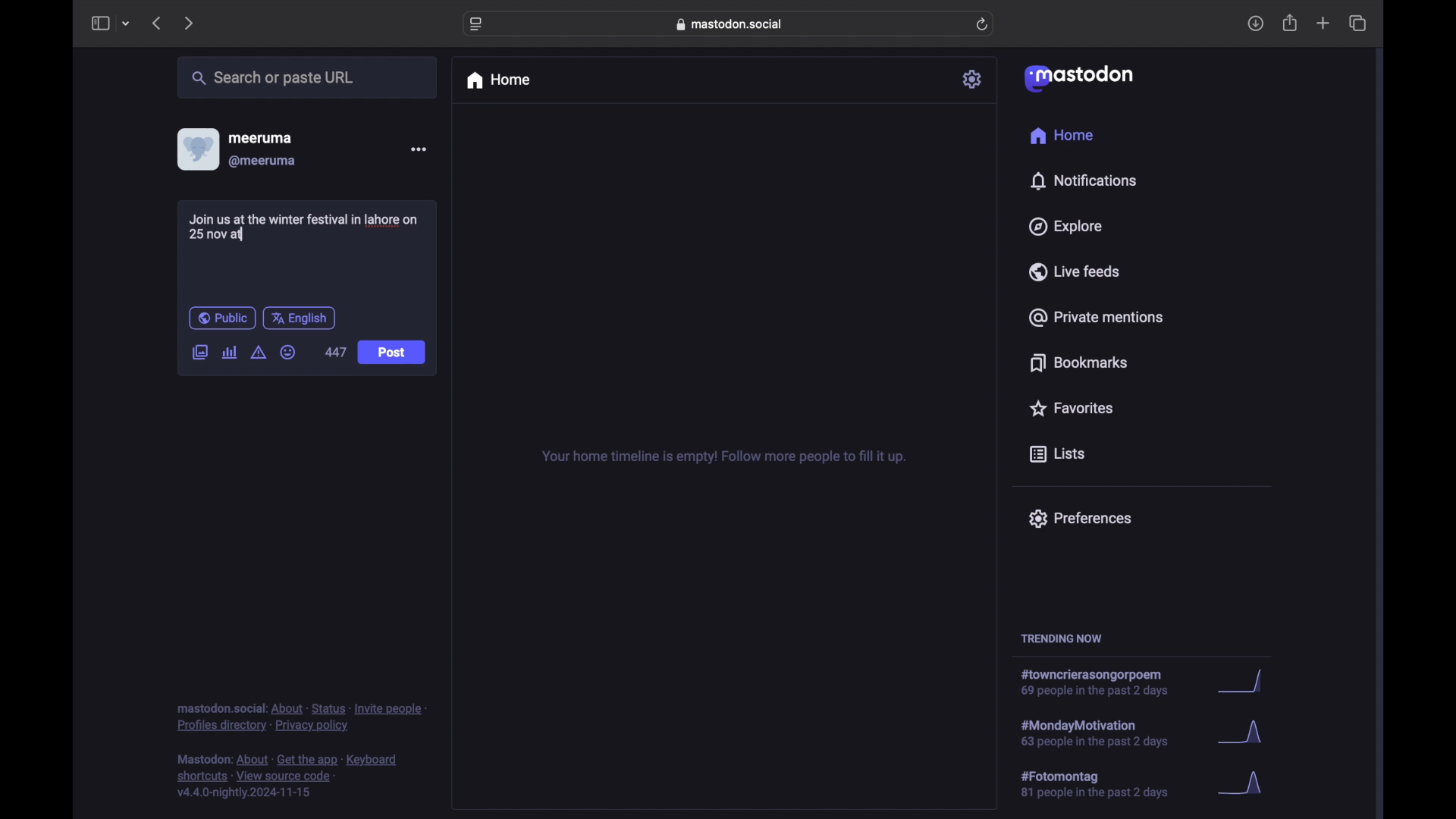 This screenshot has height=819, width=1456. What do you see at coordinates (497, 80) in the screenshot?
I see `home` at bounding box center [497, 80].